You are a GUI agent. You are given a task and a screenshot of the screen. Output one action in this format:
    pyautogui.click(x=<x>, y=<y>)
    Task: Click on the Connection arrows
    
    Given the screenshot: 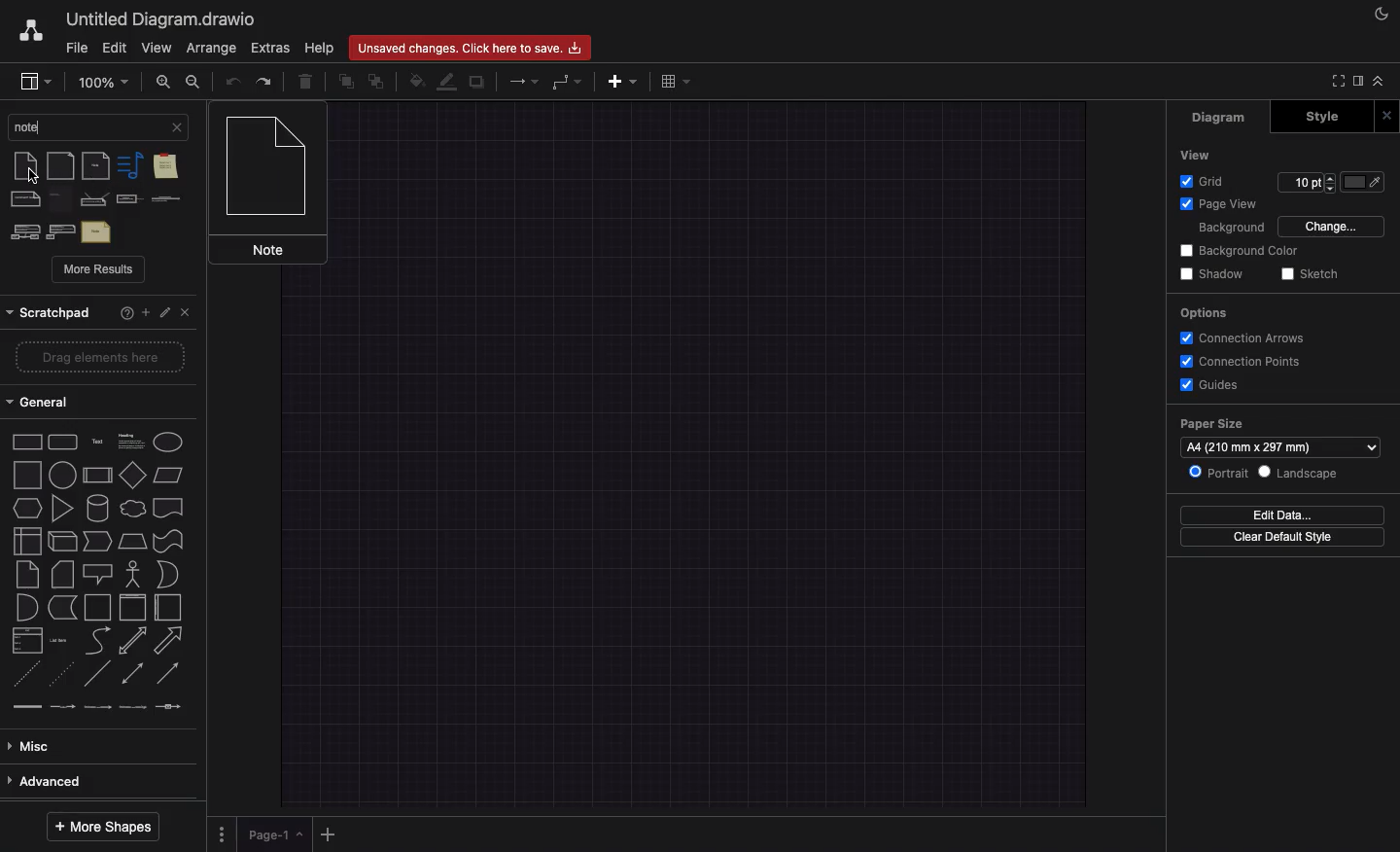 What is the action you would take?
    pyautogui.click(x=1242, y=337)
    